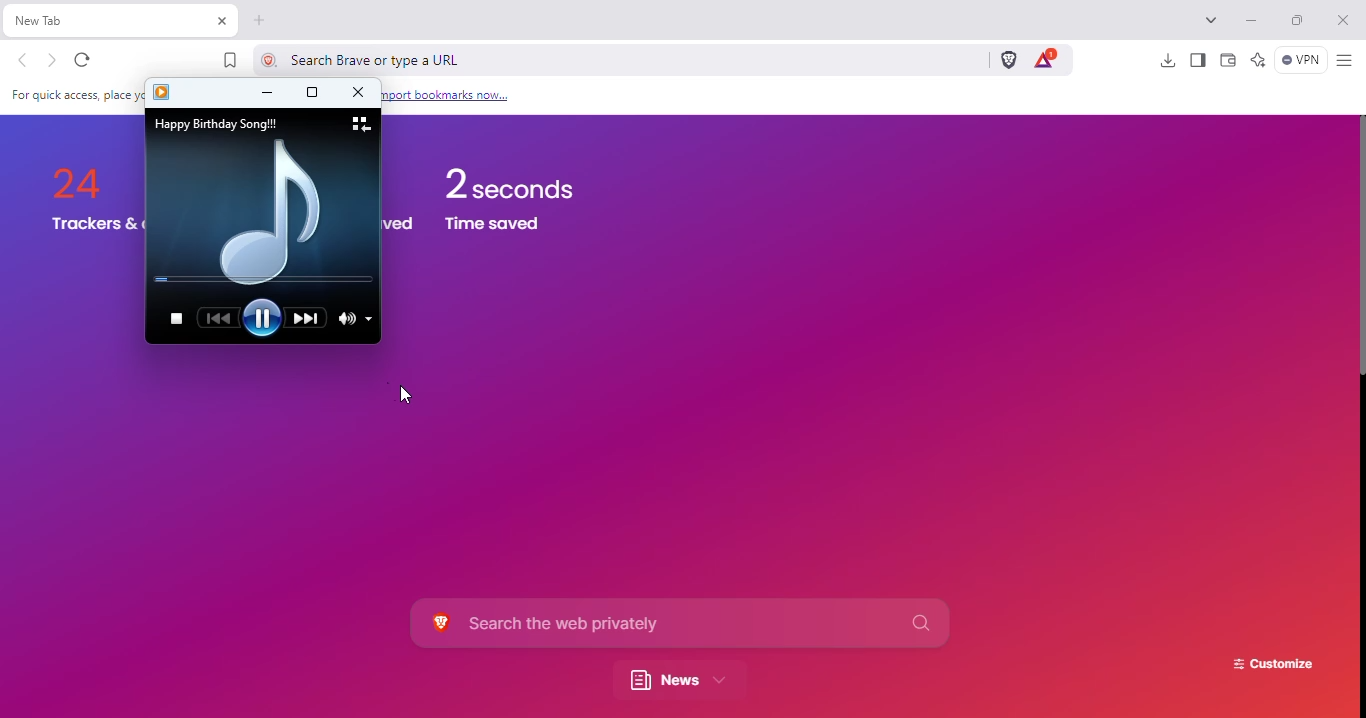 The image size is (1366, 718). Describe the element at coordinates (23, 60) in the screenshot. I see `click to go back` at that location.